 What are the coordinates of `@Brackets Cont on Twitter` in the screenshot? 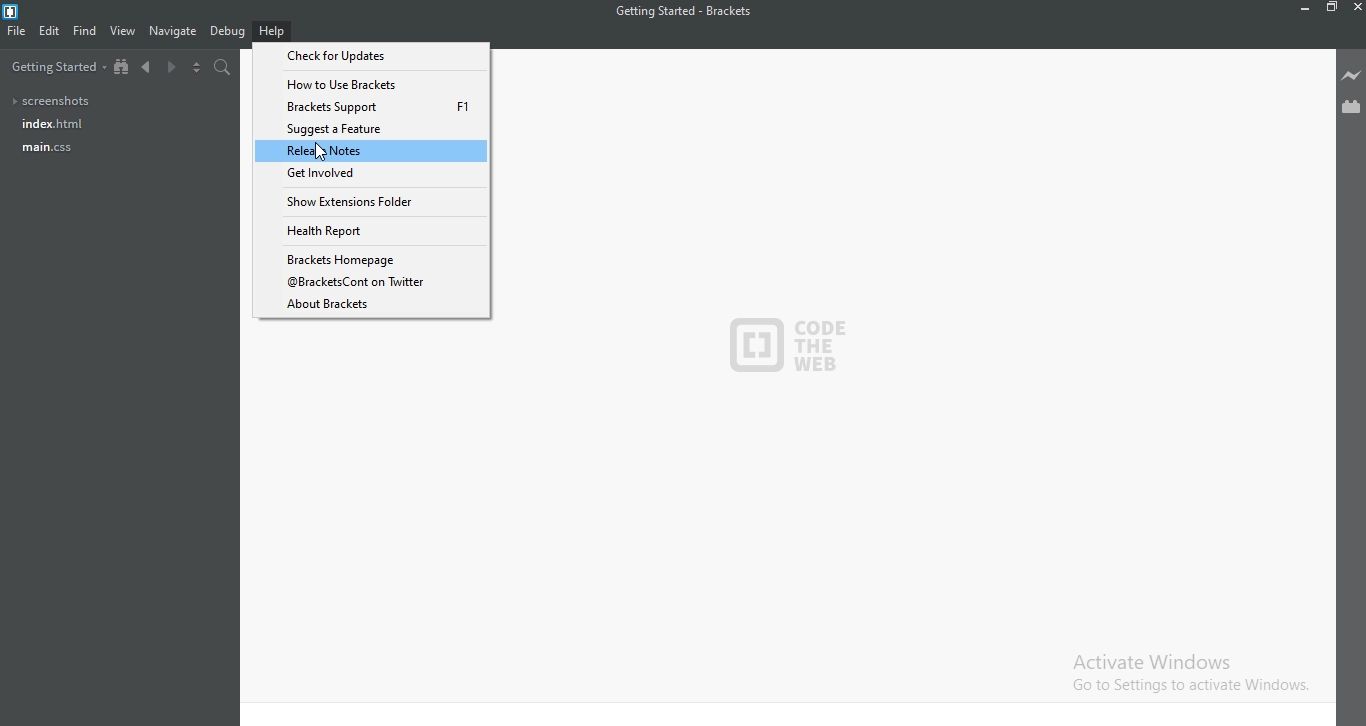 It's located at (369, 282).